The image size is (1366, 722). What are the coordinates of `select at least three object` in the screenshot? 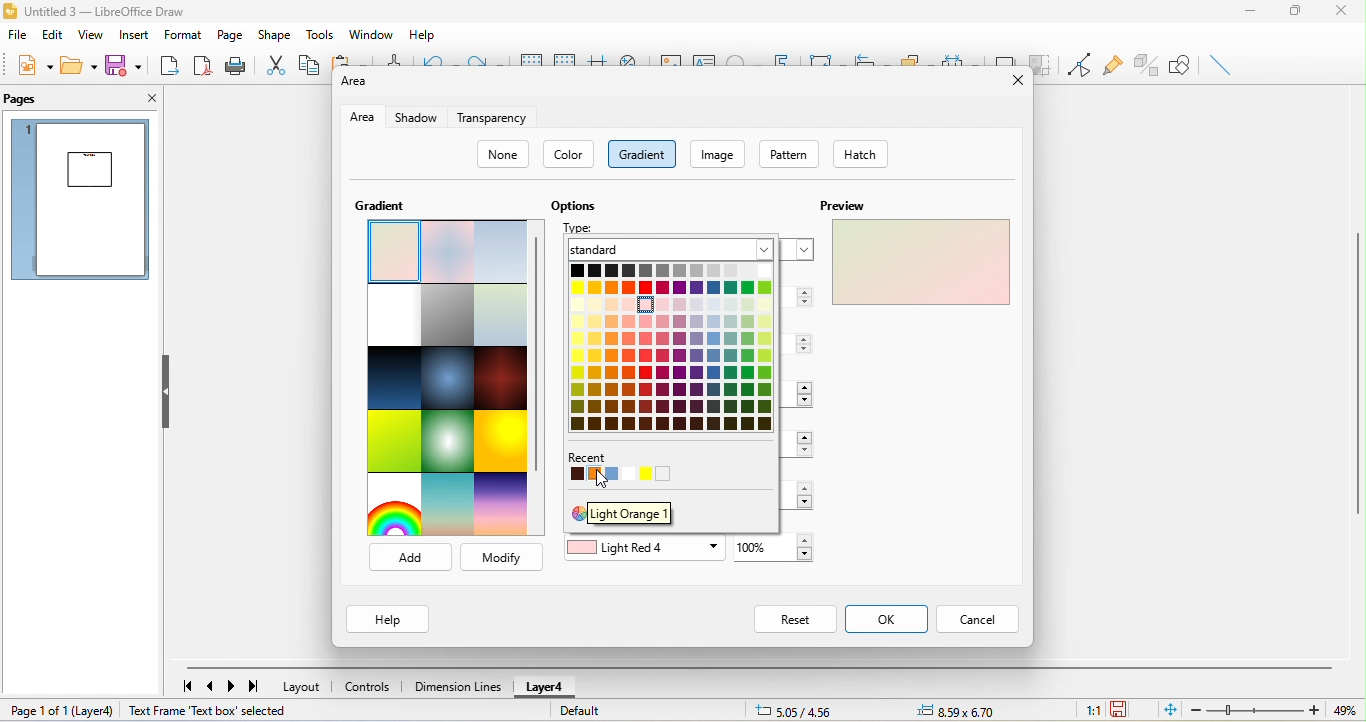 It's located at (959, 56).